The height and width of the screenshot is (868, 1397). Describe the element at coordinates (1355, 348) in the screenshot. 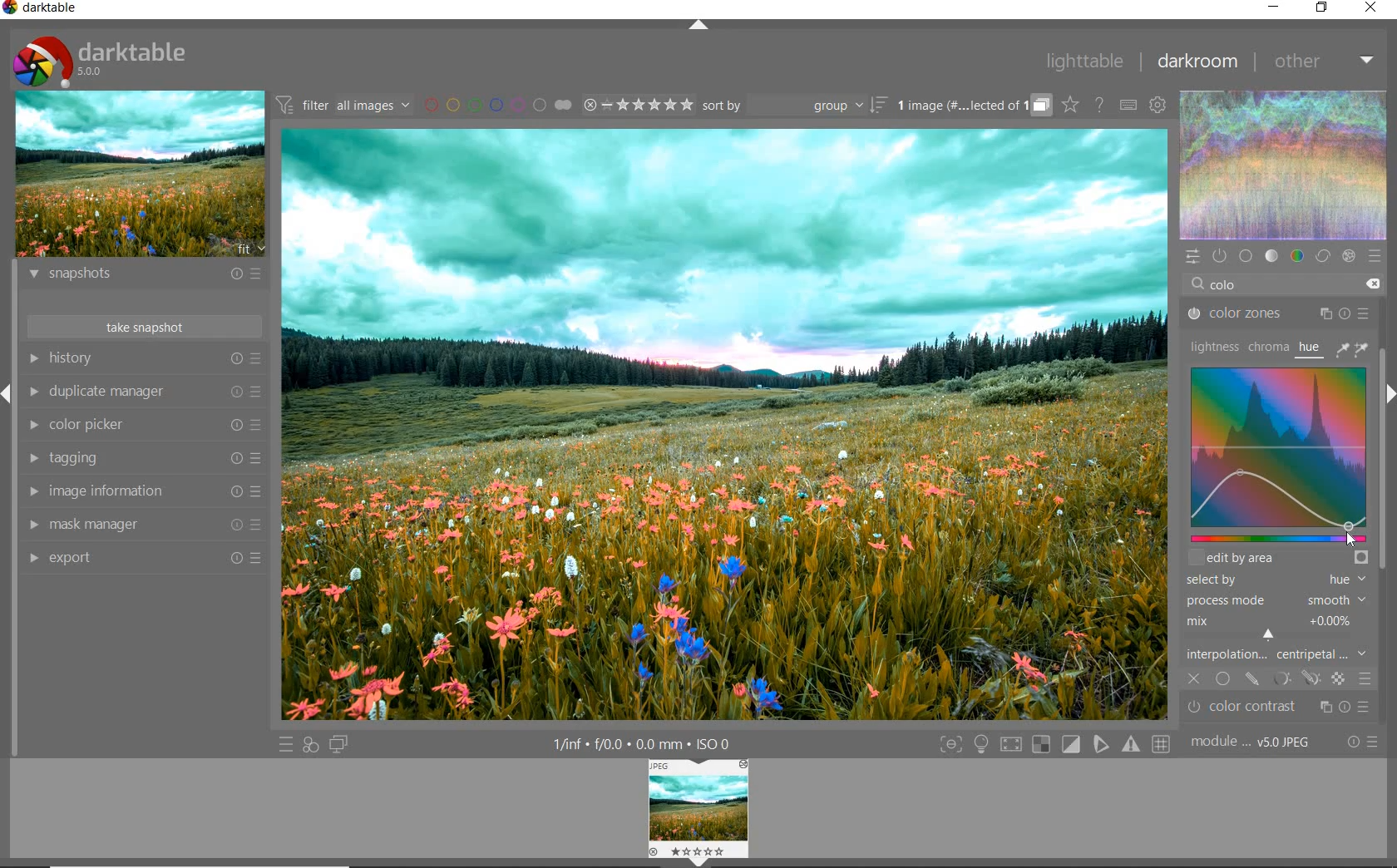

I see `picker tools` at that location.